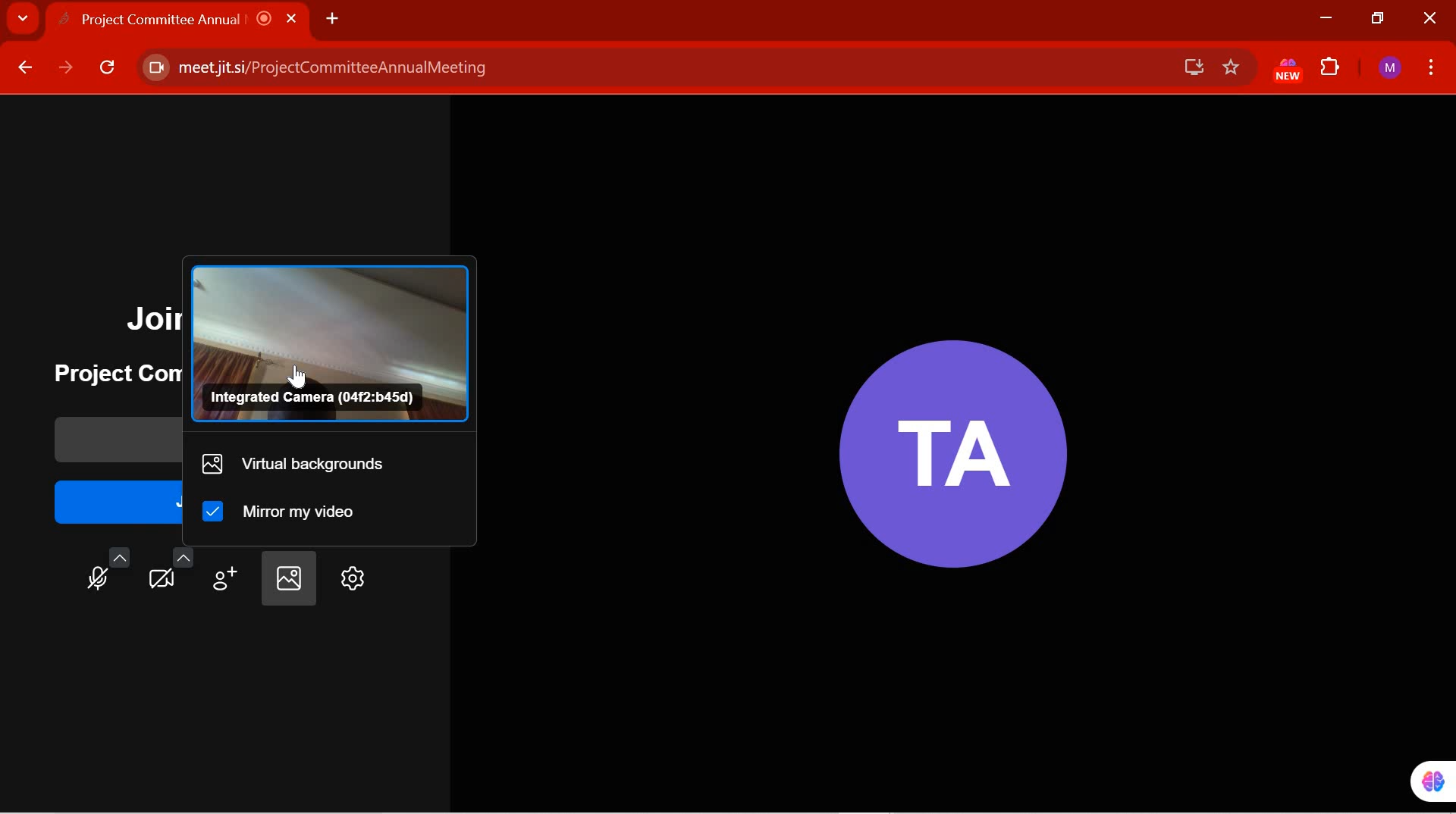 Image resolution: width=1456 pixels, height=814 pixels. I want to click on ACCOUNT NAME, so click(1390, 69).